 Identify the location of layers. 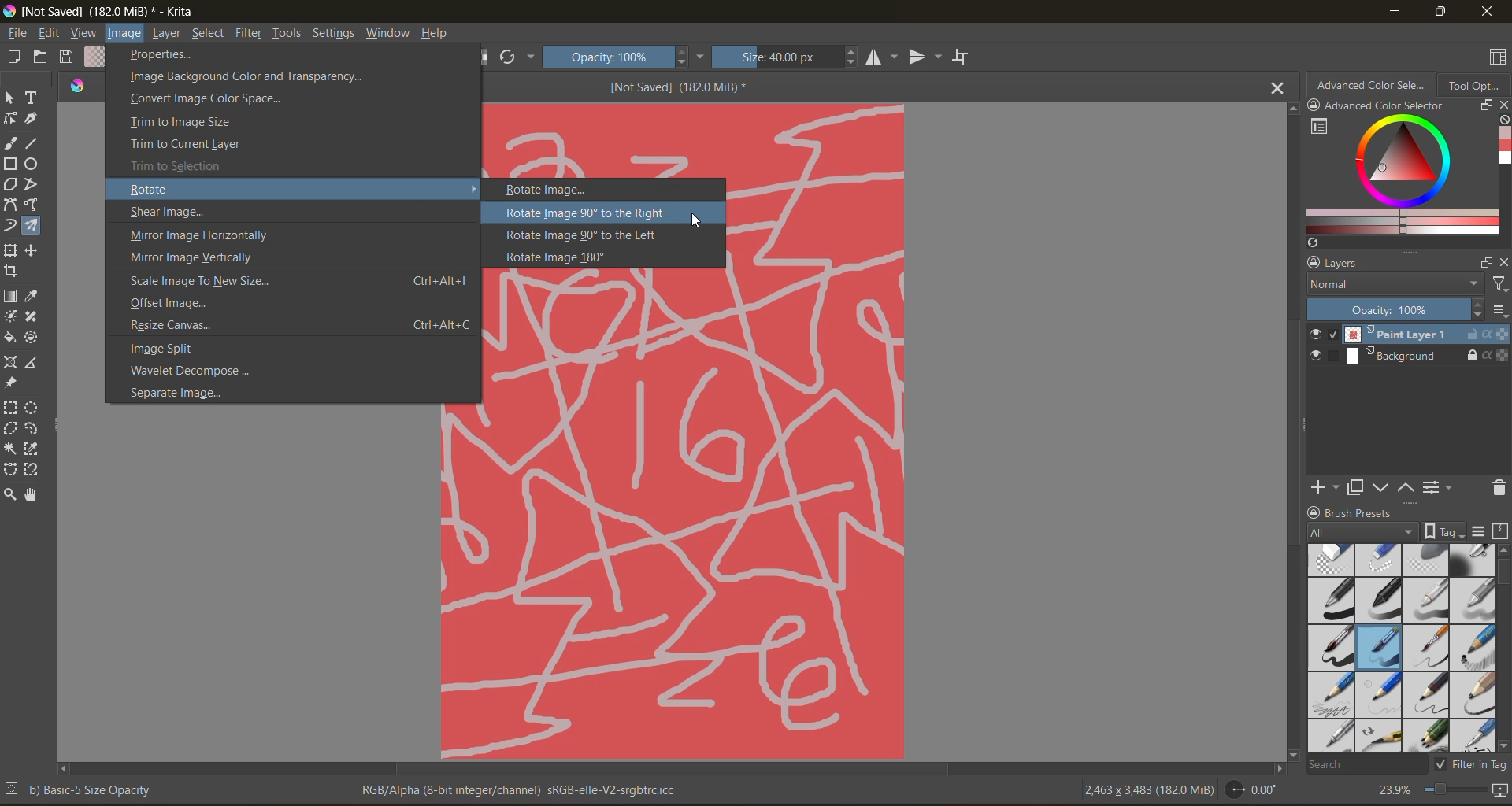
(1426, 346).